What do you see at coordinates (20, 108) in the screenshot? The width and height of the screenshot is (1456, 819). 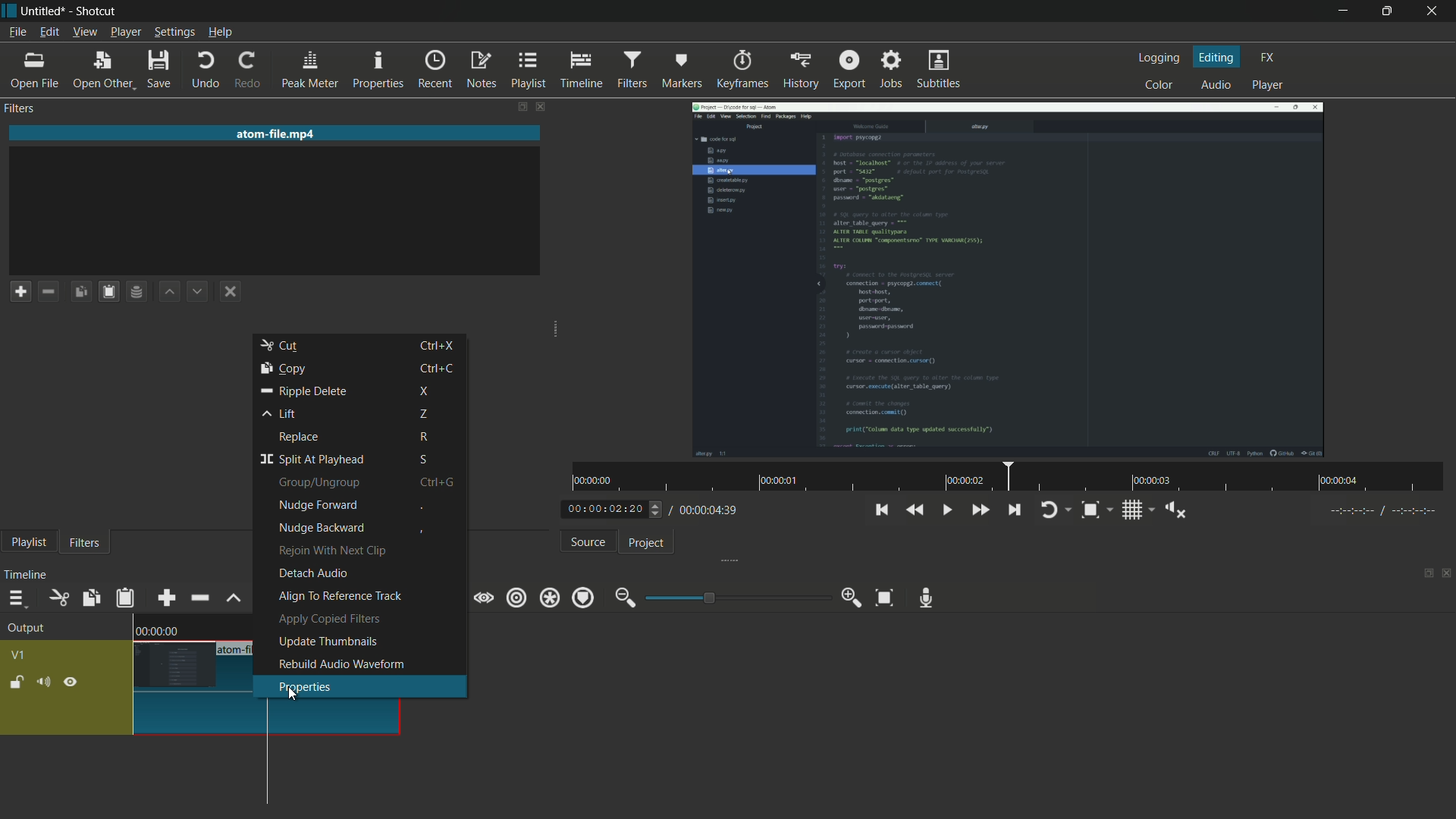 I see `filters` at bounding box center [20, 108].